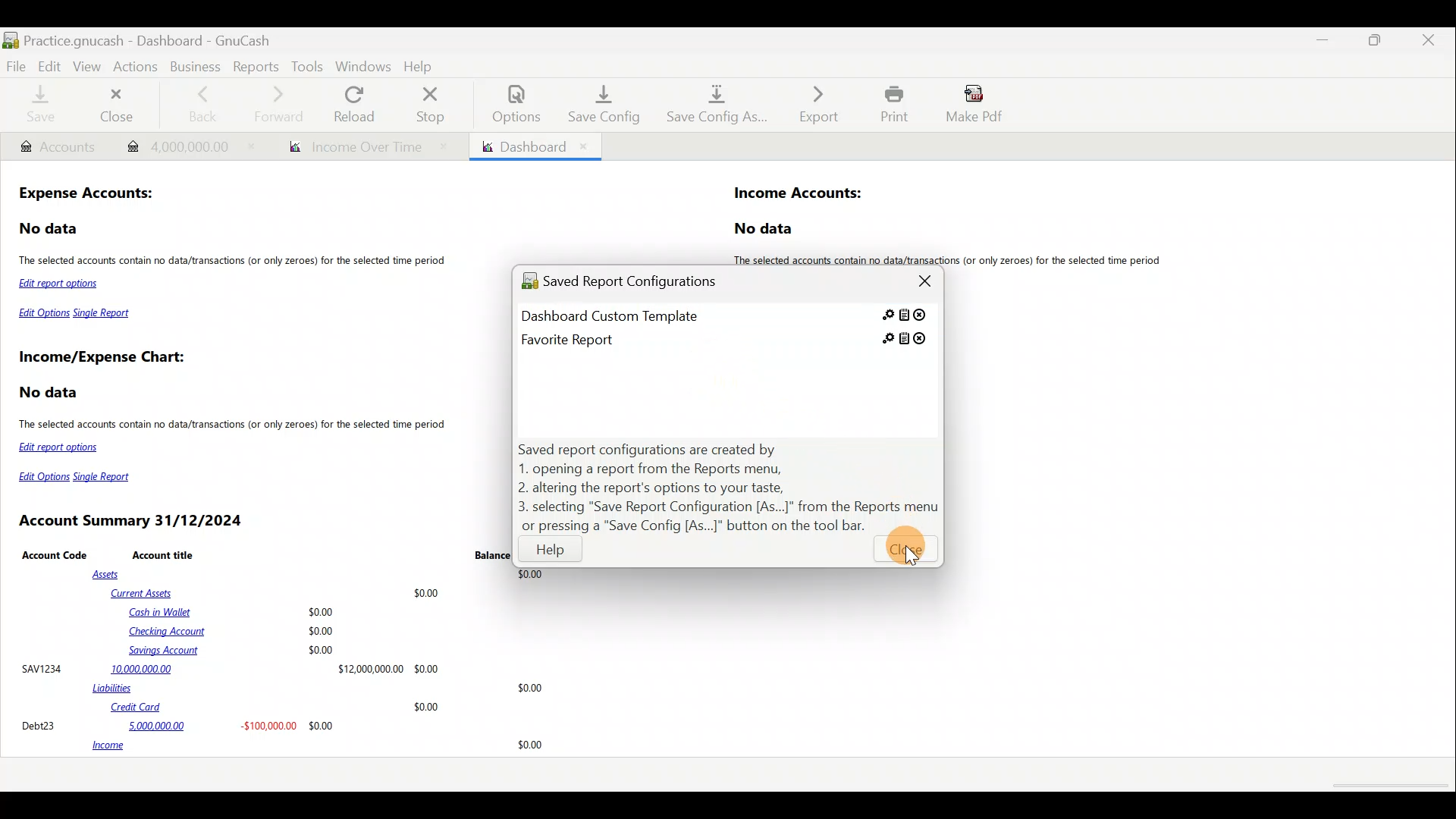 The width and height of the screenshot is (1456, 819). What do you see at coordinates (202, 102) in the screenshot?
I see `Back` at bounding box center [202, 102].